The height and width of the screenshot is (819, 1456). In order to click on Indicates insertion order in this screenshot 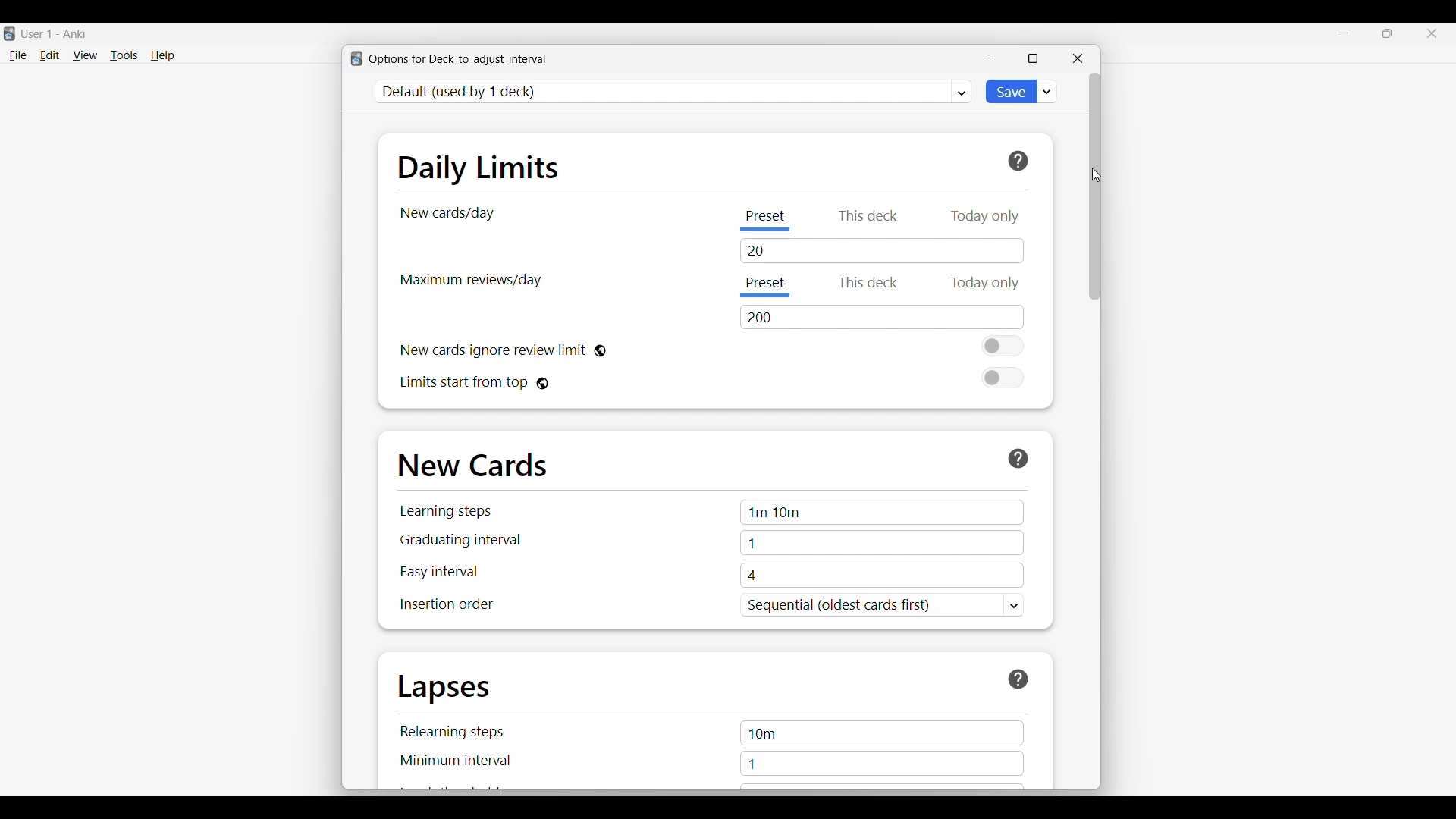, I will do `click(447, 604)`.